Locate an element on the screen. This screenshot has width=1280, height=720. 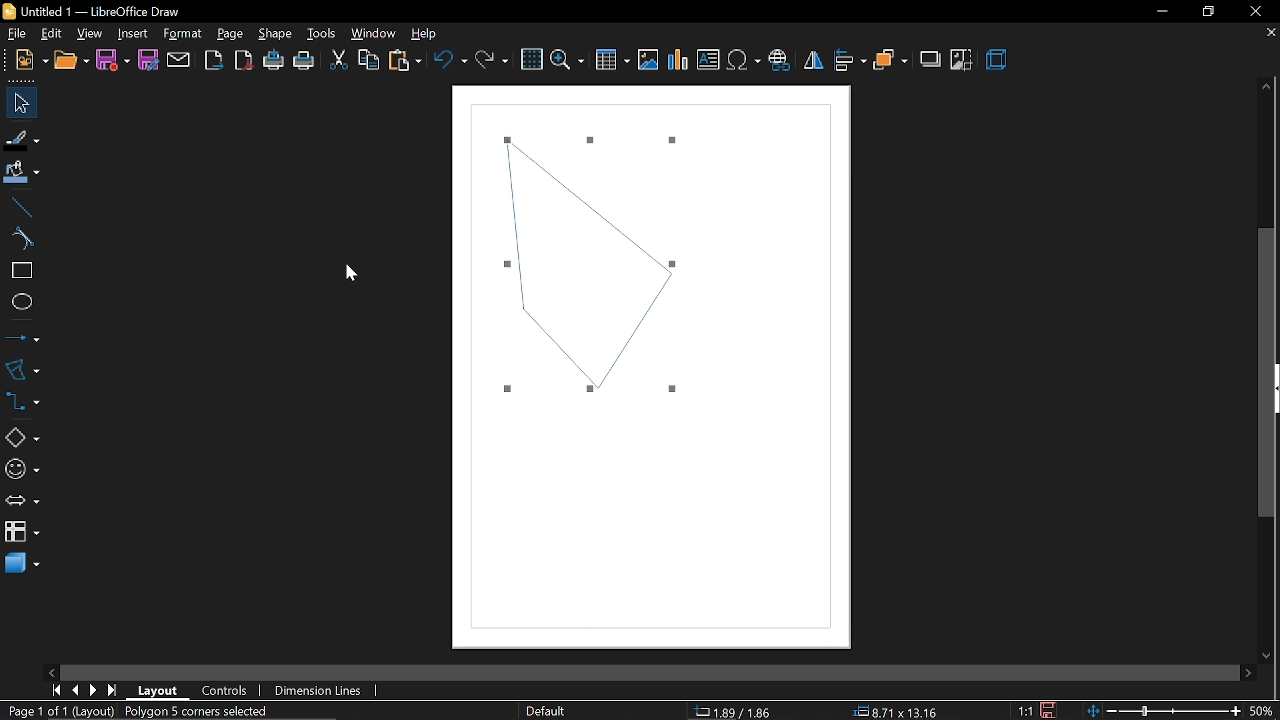
help is located at coordinates (427, 34).